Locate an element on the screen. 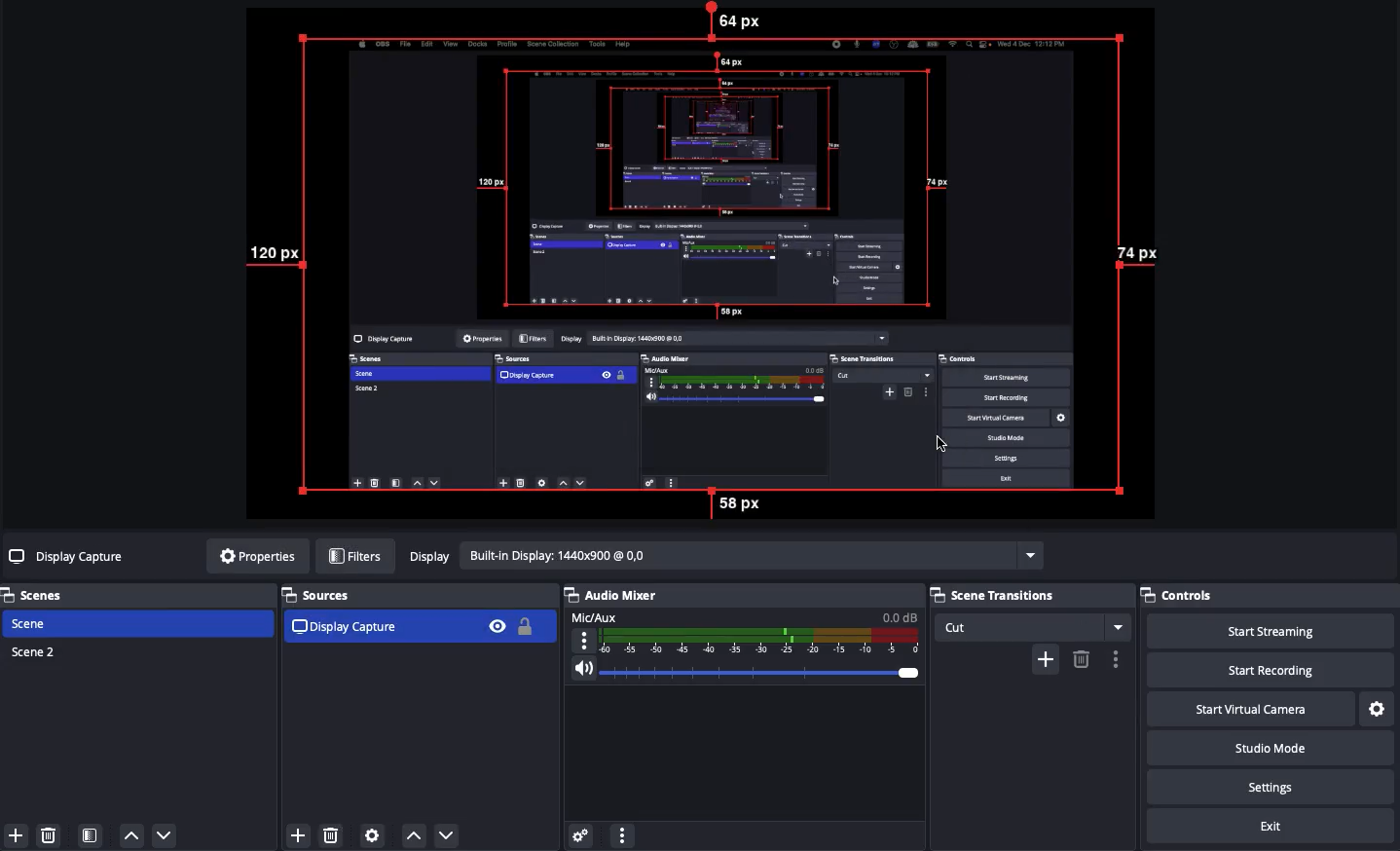  More is located at coordinates (1116, 659).